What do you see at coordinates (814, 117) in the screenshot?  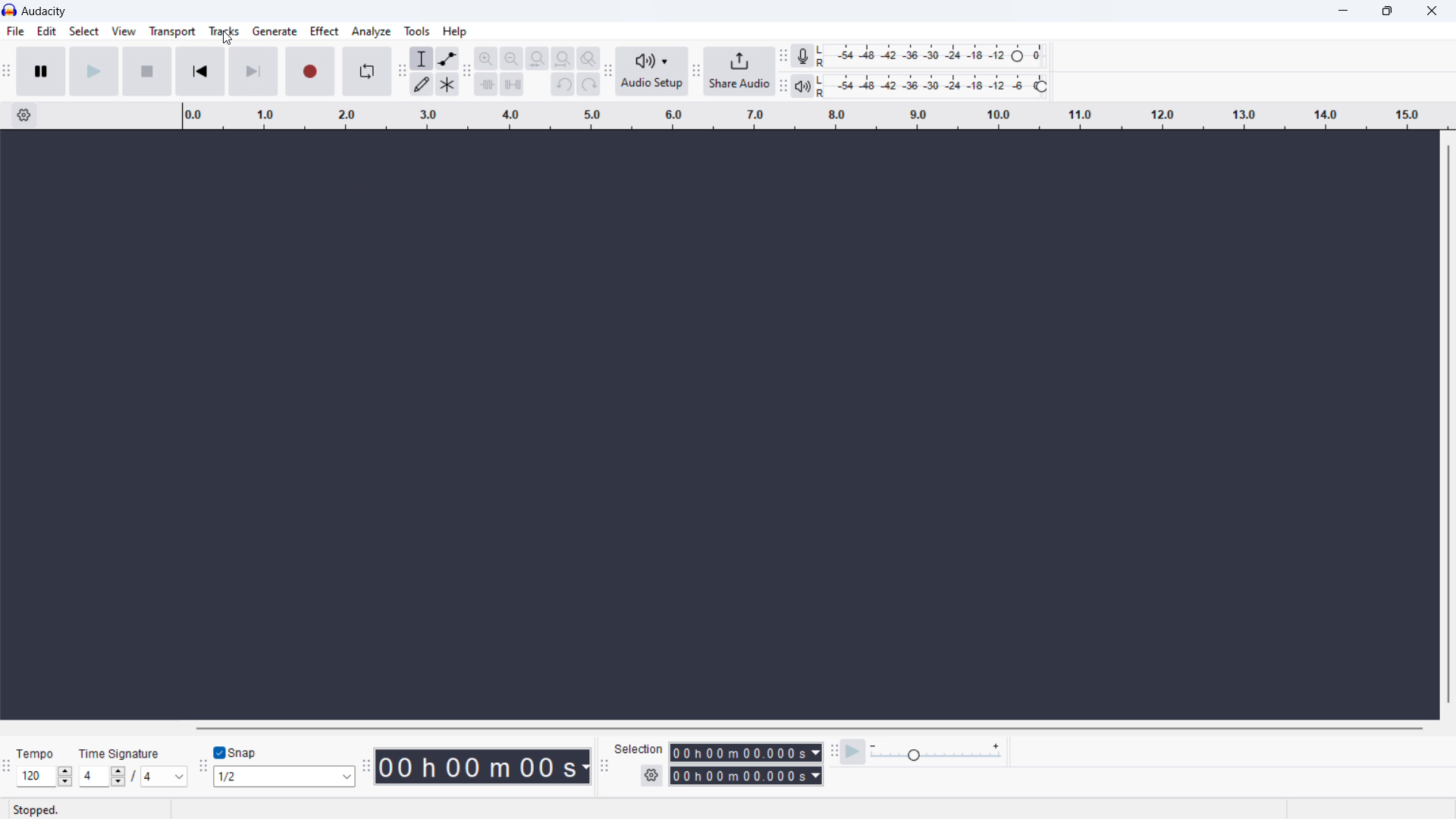 I see `time line` at bounding box center [814, 117].